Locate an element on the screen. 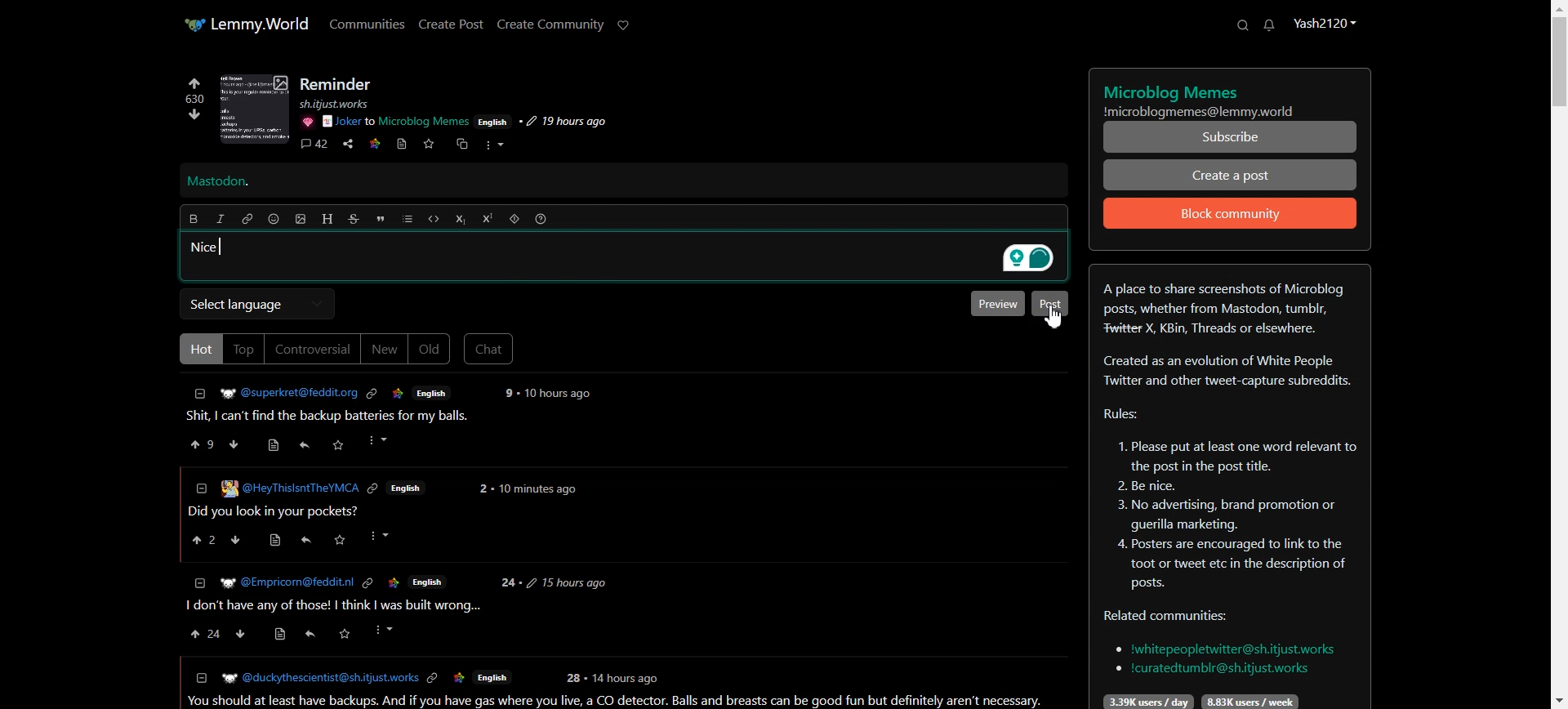 The height and width of the screenshot is (709, 1568). Comment is located at coordinates (314, 145).